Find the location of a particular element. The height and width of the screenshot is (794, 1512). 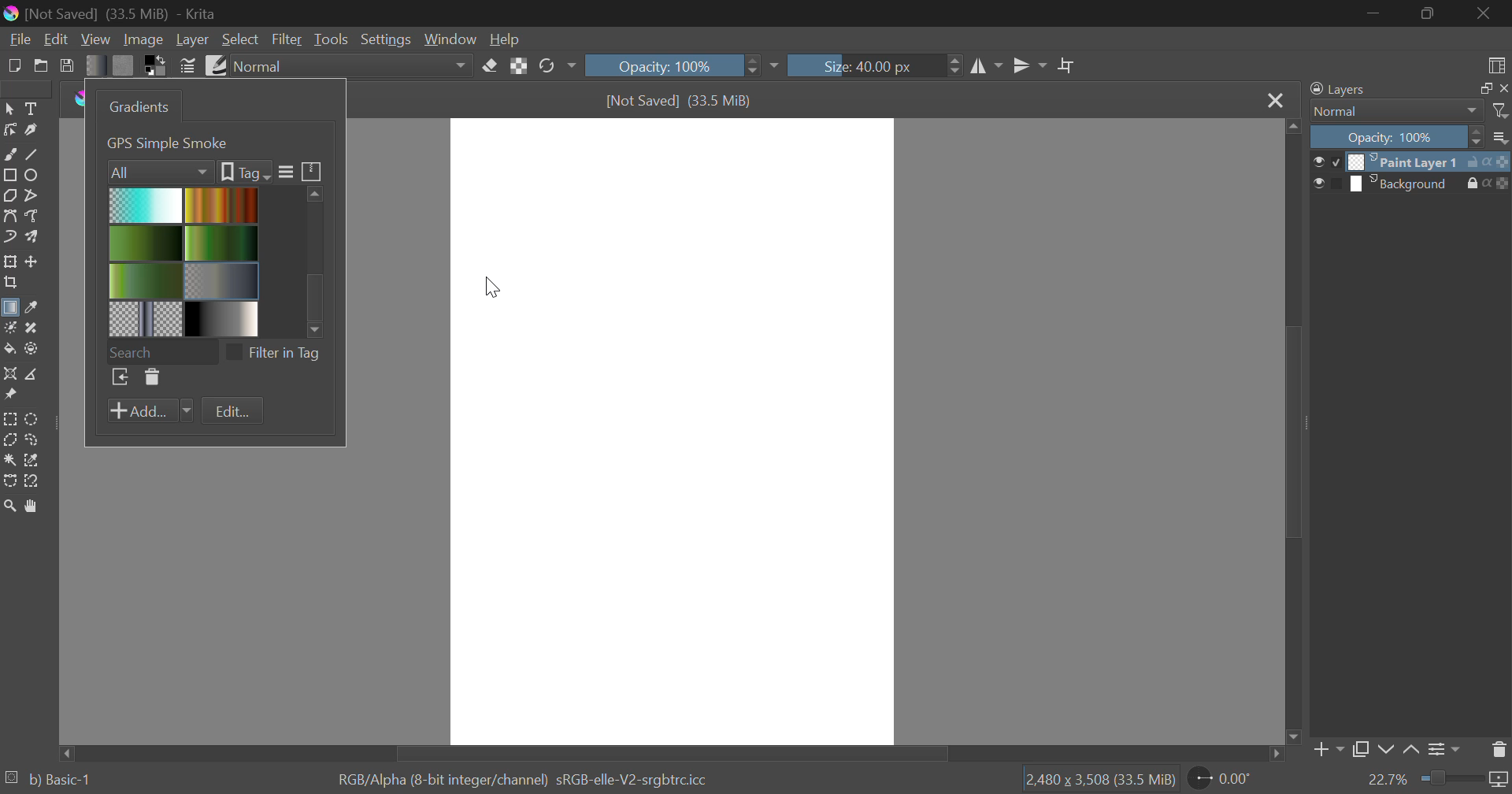

Gradient 1 is located at coordinates (146, 205).